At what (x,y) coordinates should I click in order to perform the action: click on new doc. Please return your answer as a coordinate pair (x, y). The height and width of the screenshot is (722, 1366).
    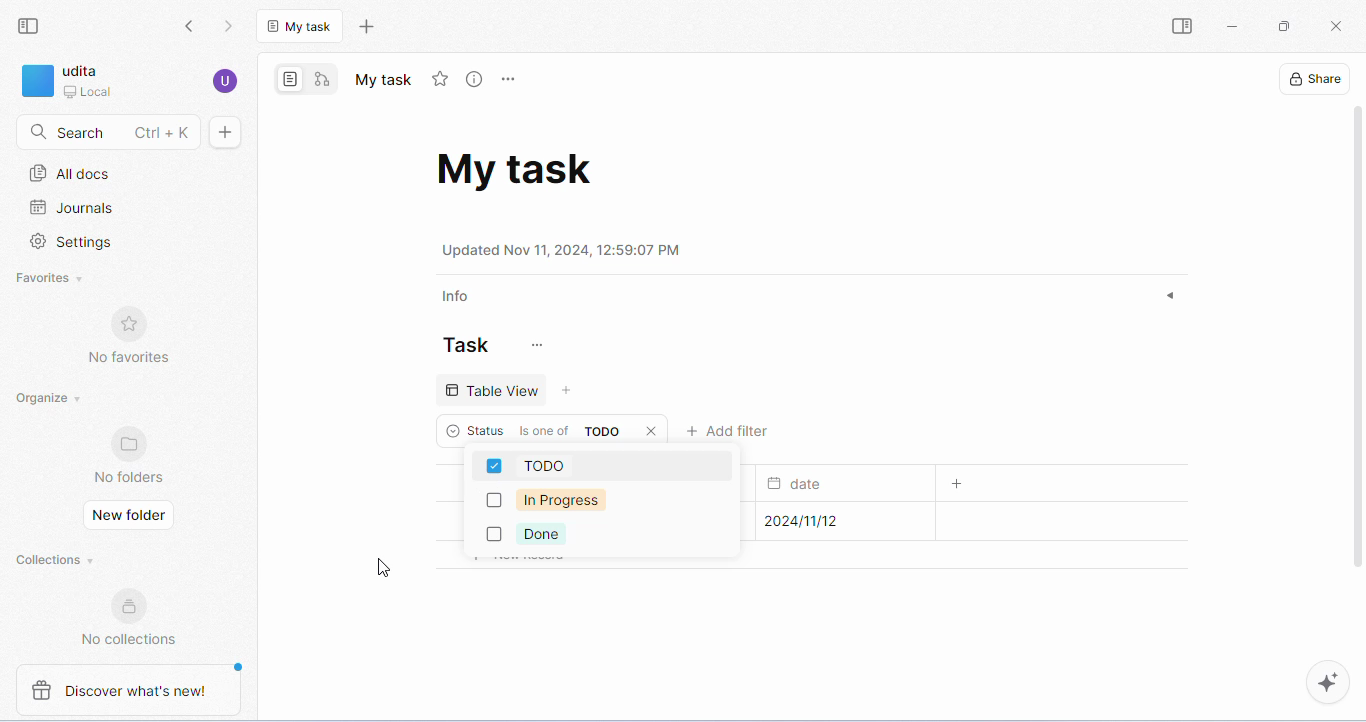
    Looking at the image, I should click on (225, 132).